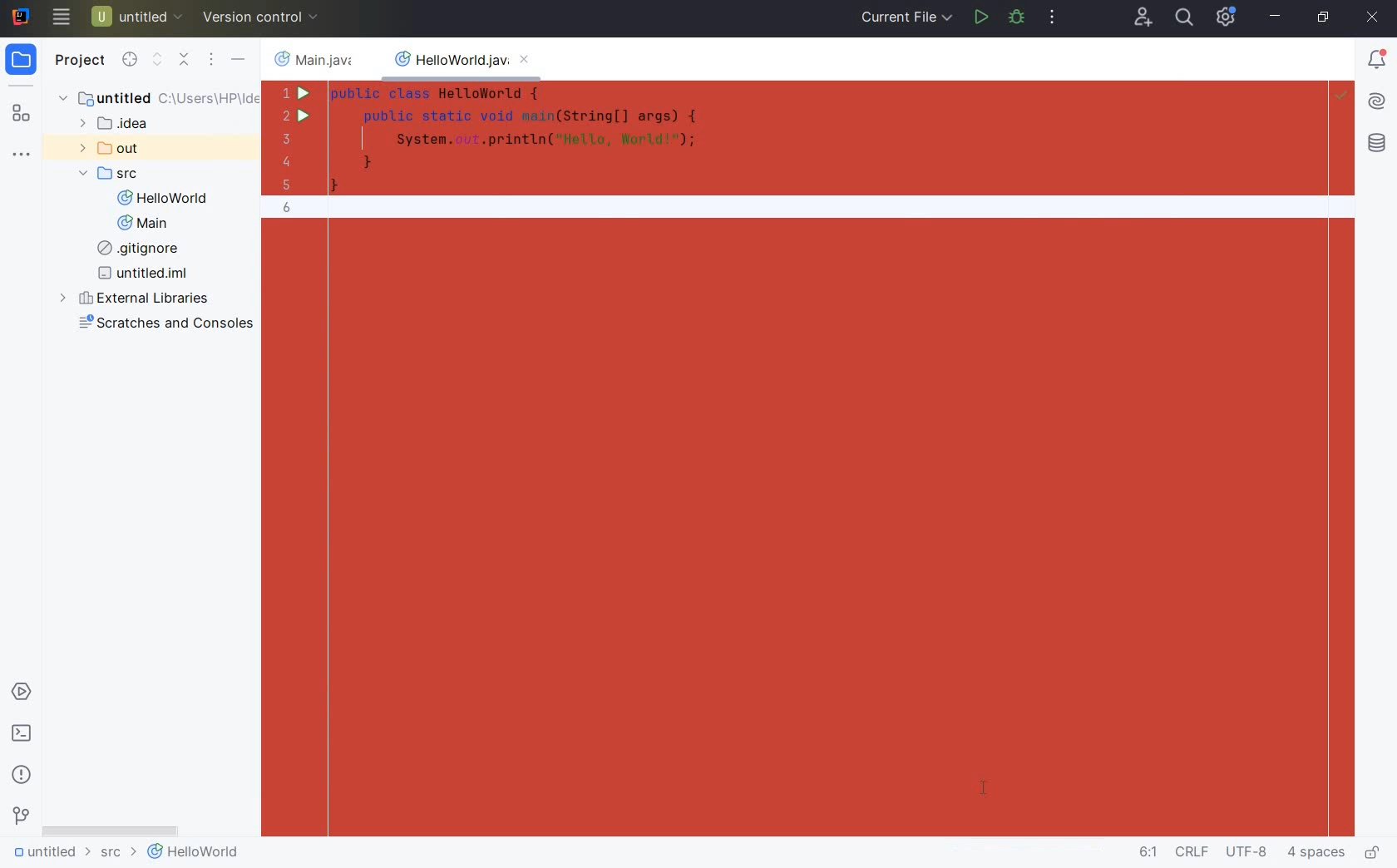 This screenshot has height=868, width=1397. I want to click on Highlight: All Problems, so click(1341, 97).